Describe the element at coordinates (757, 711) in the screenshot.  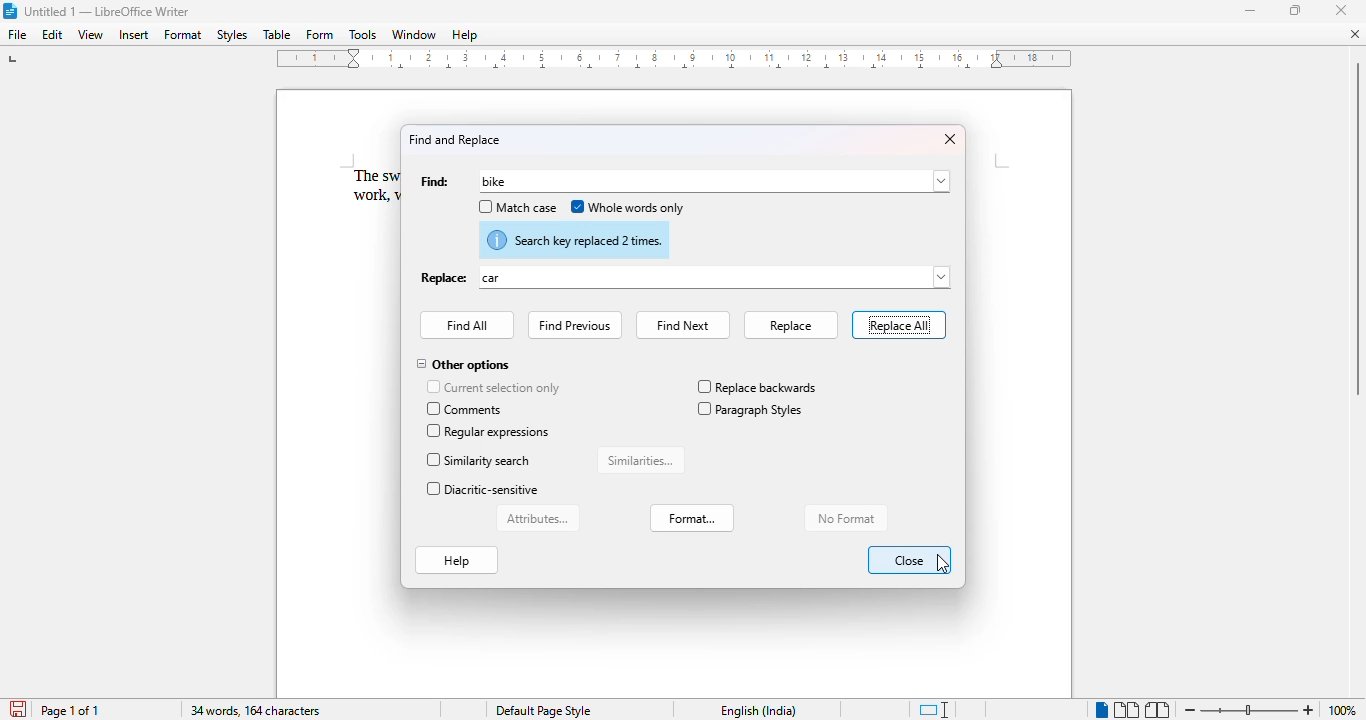
I see `English (India)` at that location.